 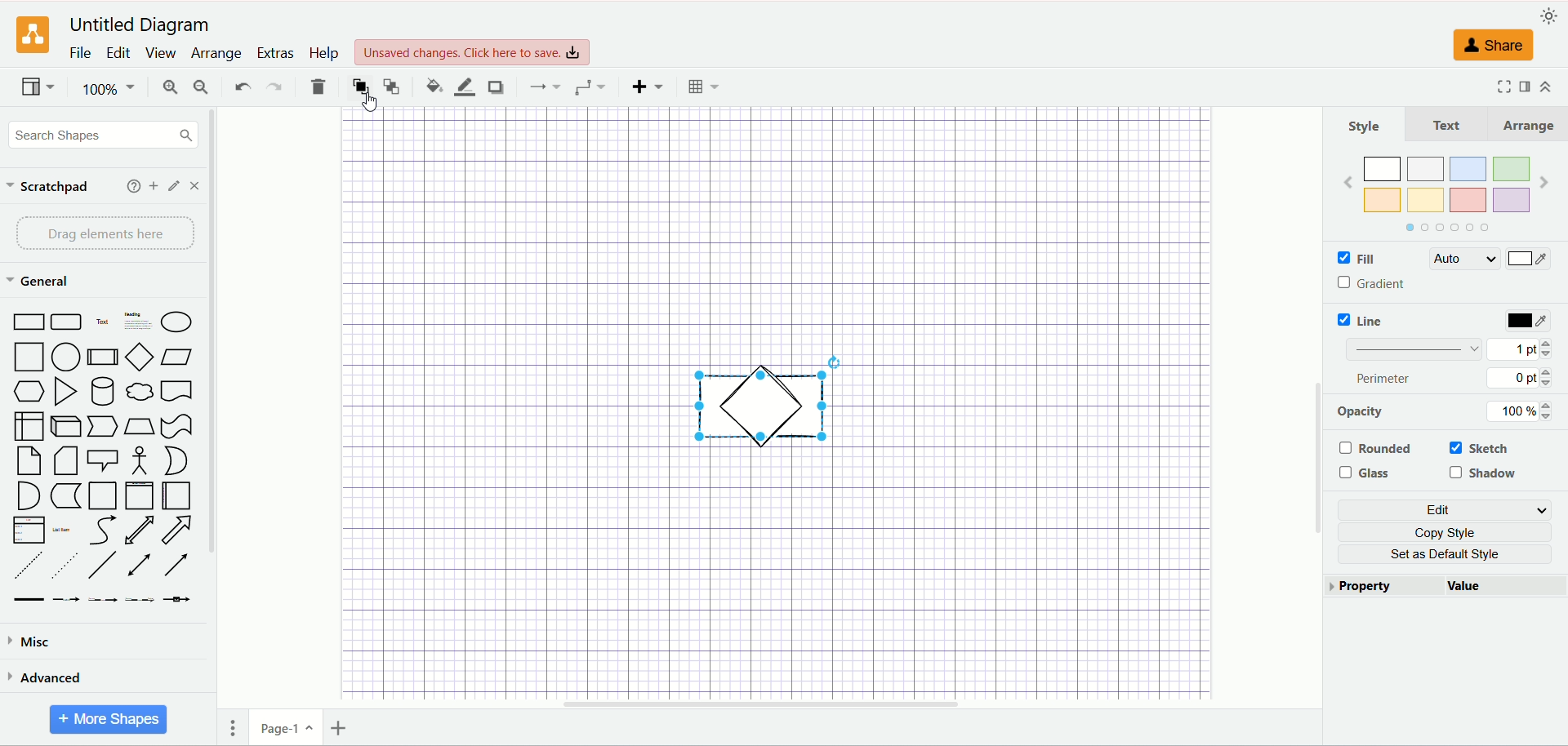 I want to click on Text, so click(x=1447, y=124).